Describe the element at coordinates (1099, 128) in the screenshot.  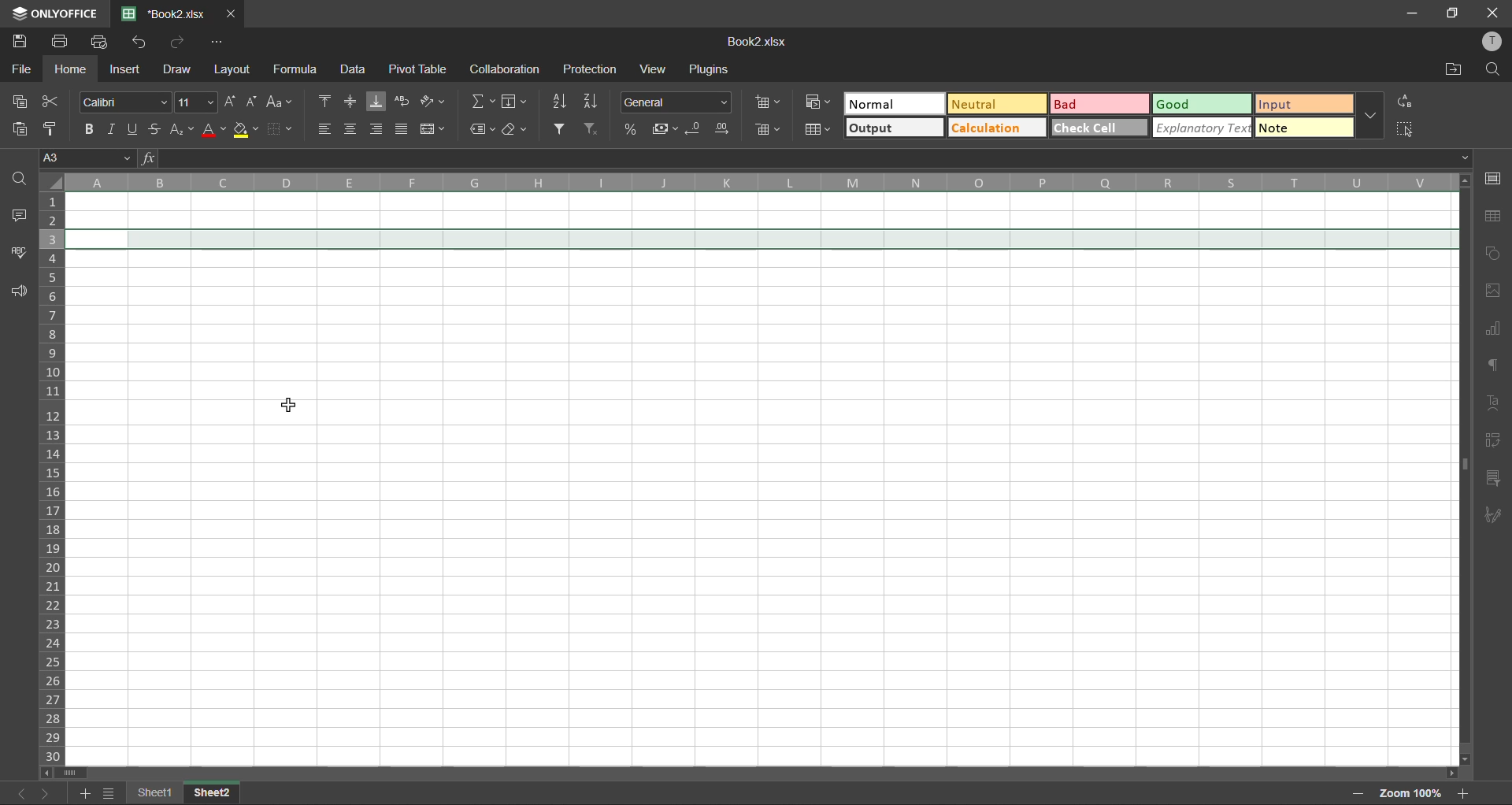
I see `check cell` at that location.